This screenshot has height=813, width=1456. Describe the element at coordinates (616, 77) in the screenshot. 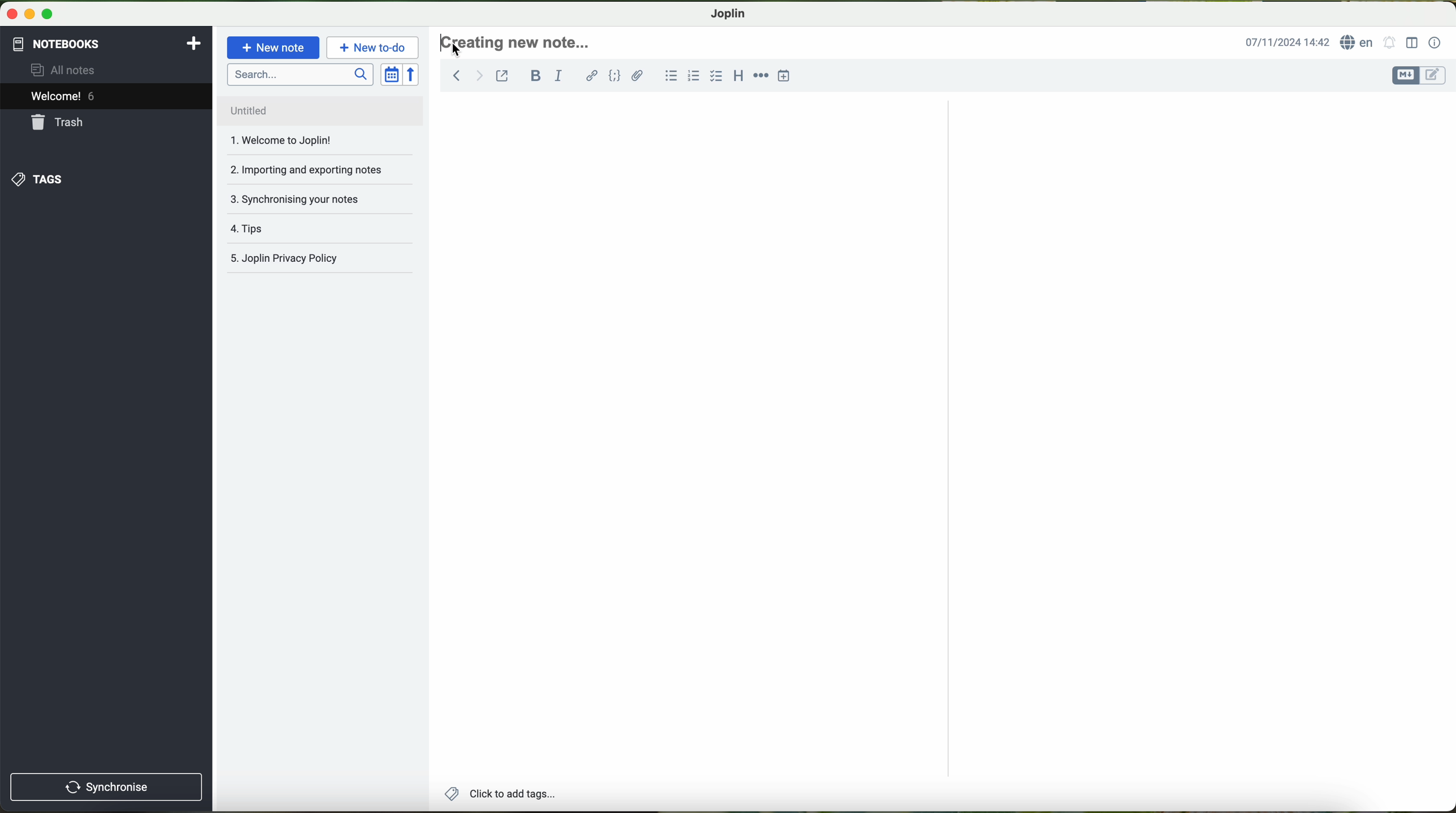

I see `code` at that location.